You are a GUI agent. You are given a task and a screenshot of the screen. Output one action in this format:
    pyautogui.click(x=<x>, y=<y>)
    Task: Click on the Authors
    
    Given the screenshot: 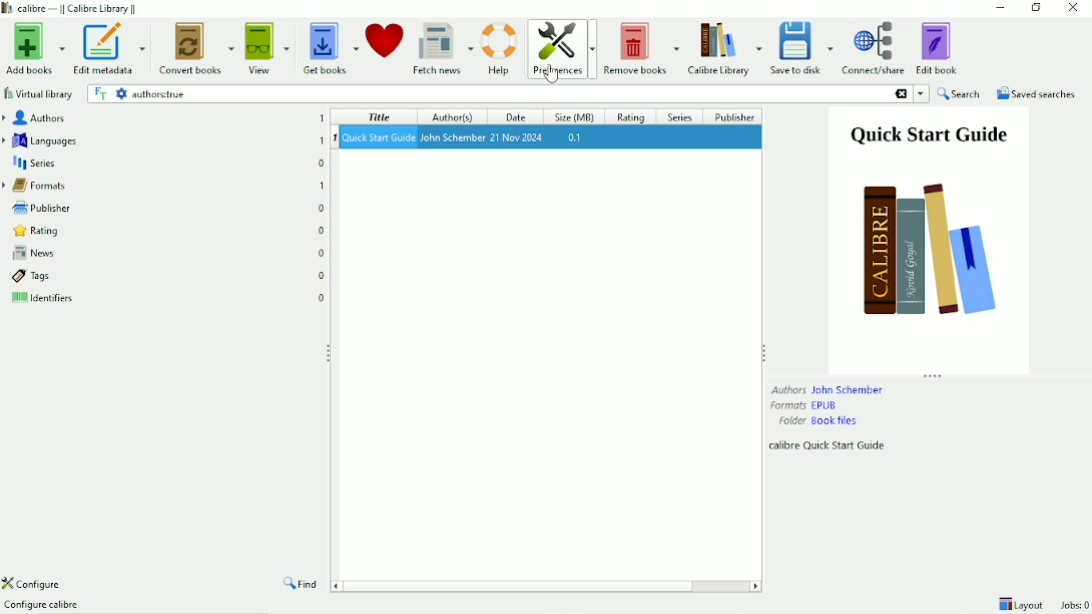 What is the action you would take?
    pyautogui.click(x=786, y=390)
    